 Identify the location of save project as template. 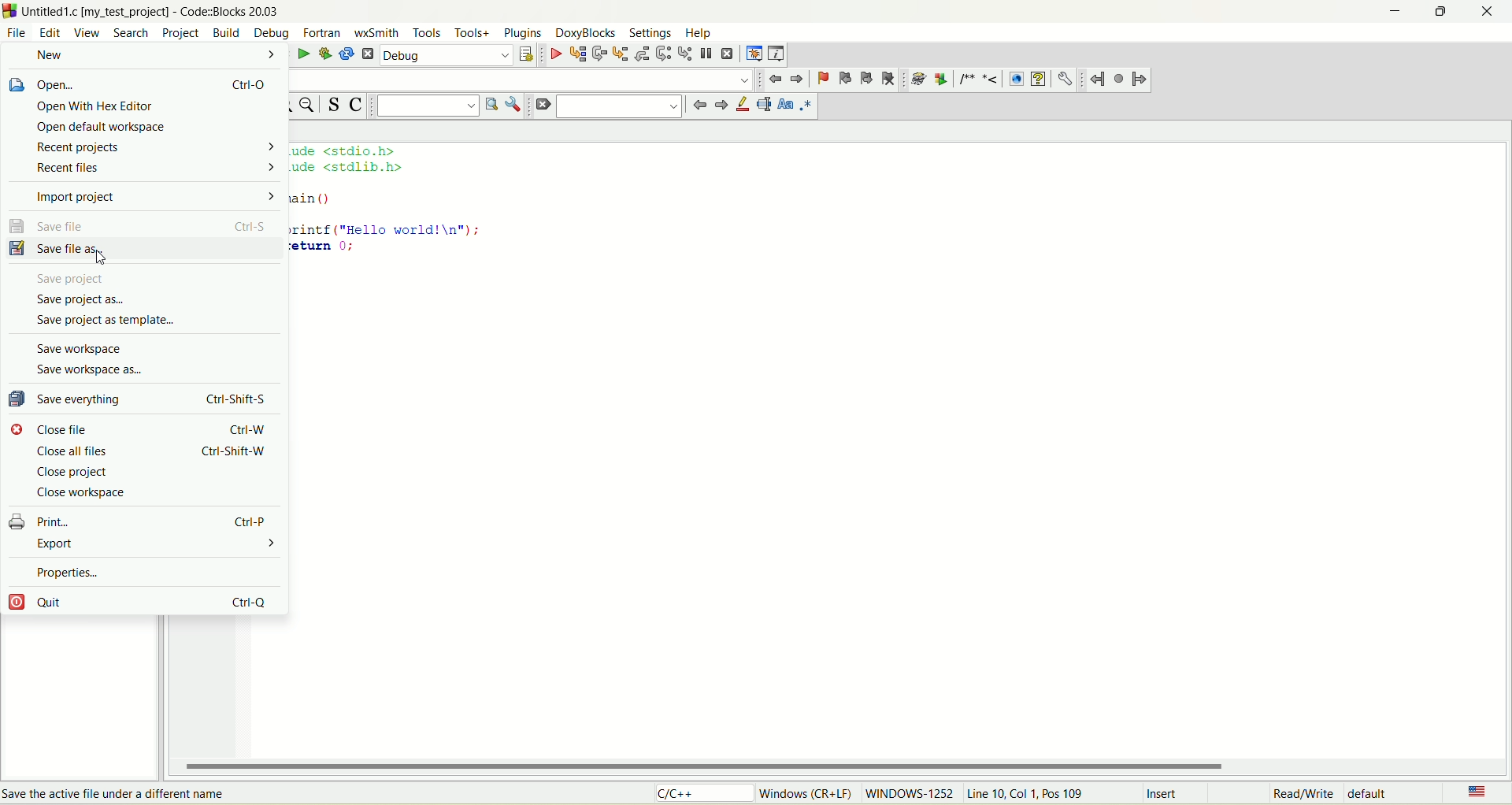
(106, 323).